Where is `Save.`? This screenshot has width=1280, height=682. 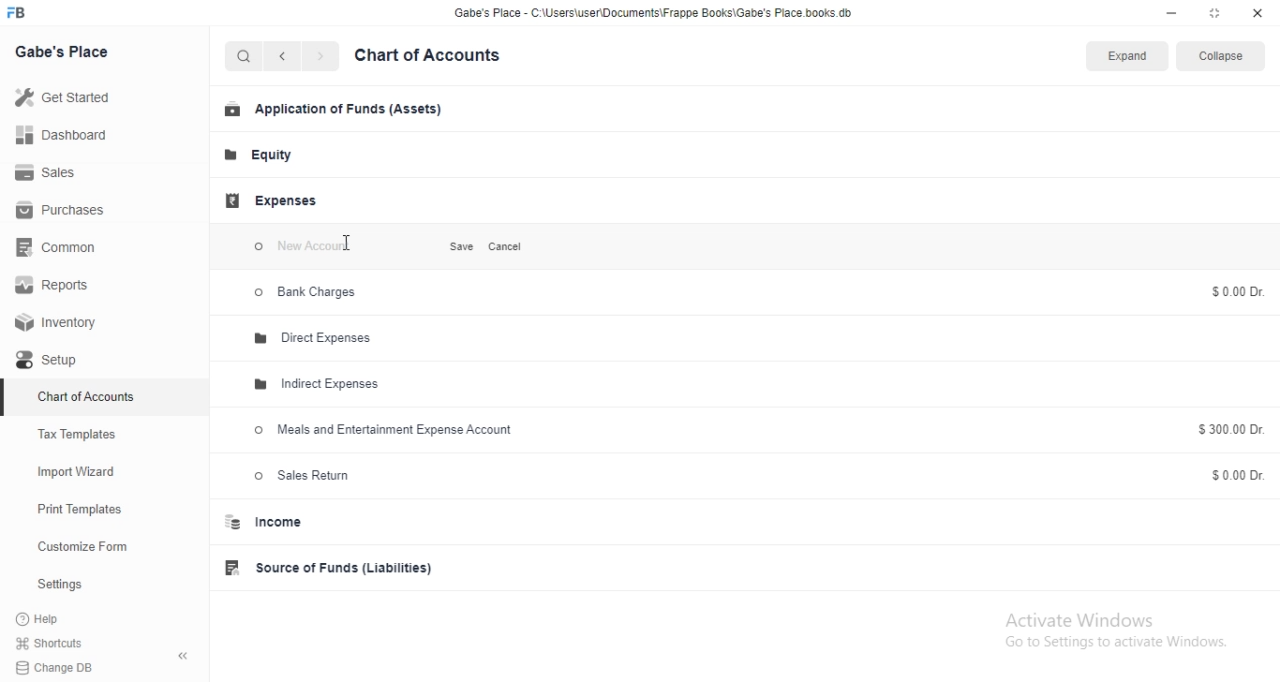 Save. is located at coordinates (454, 246).